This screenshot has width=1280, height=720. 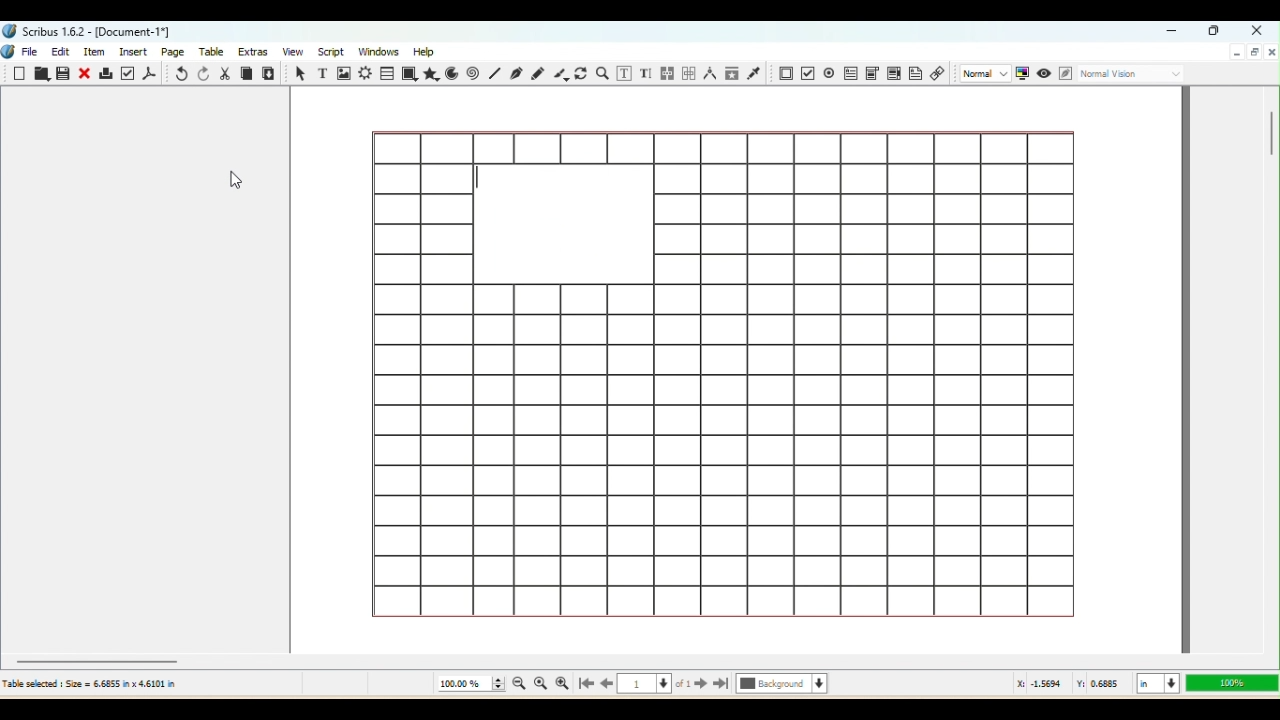 I want to click on Help, so click(x=426, y=50).